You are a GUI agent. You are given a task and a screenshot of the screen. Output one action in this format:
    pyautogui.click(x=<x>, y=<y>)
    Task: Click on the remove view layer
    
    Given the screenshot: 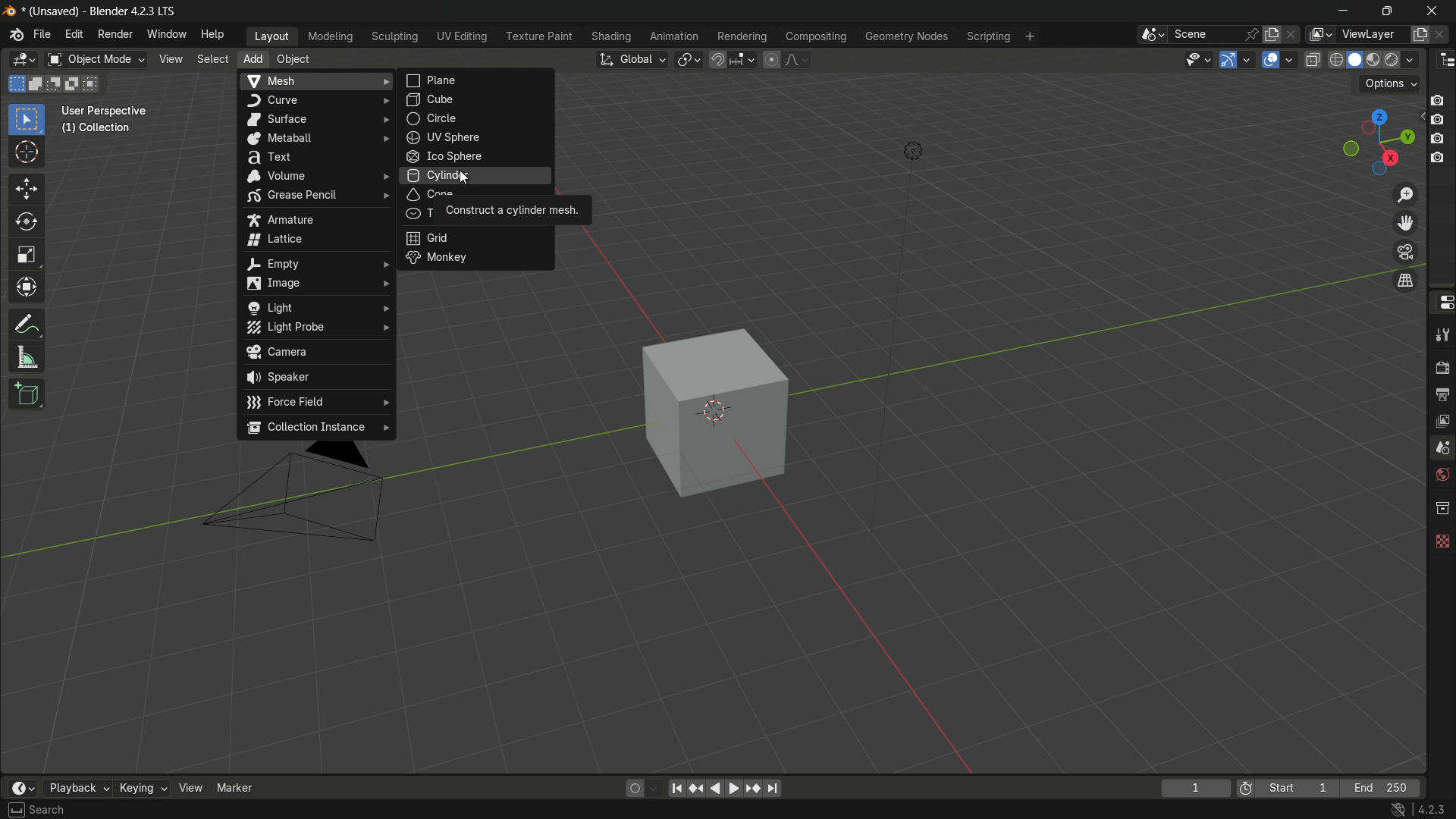 What is the action you would take?
    pyautogui.click(x=1444, y=35)
    